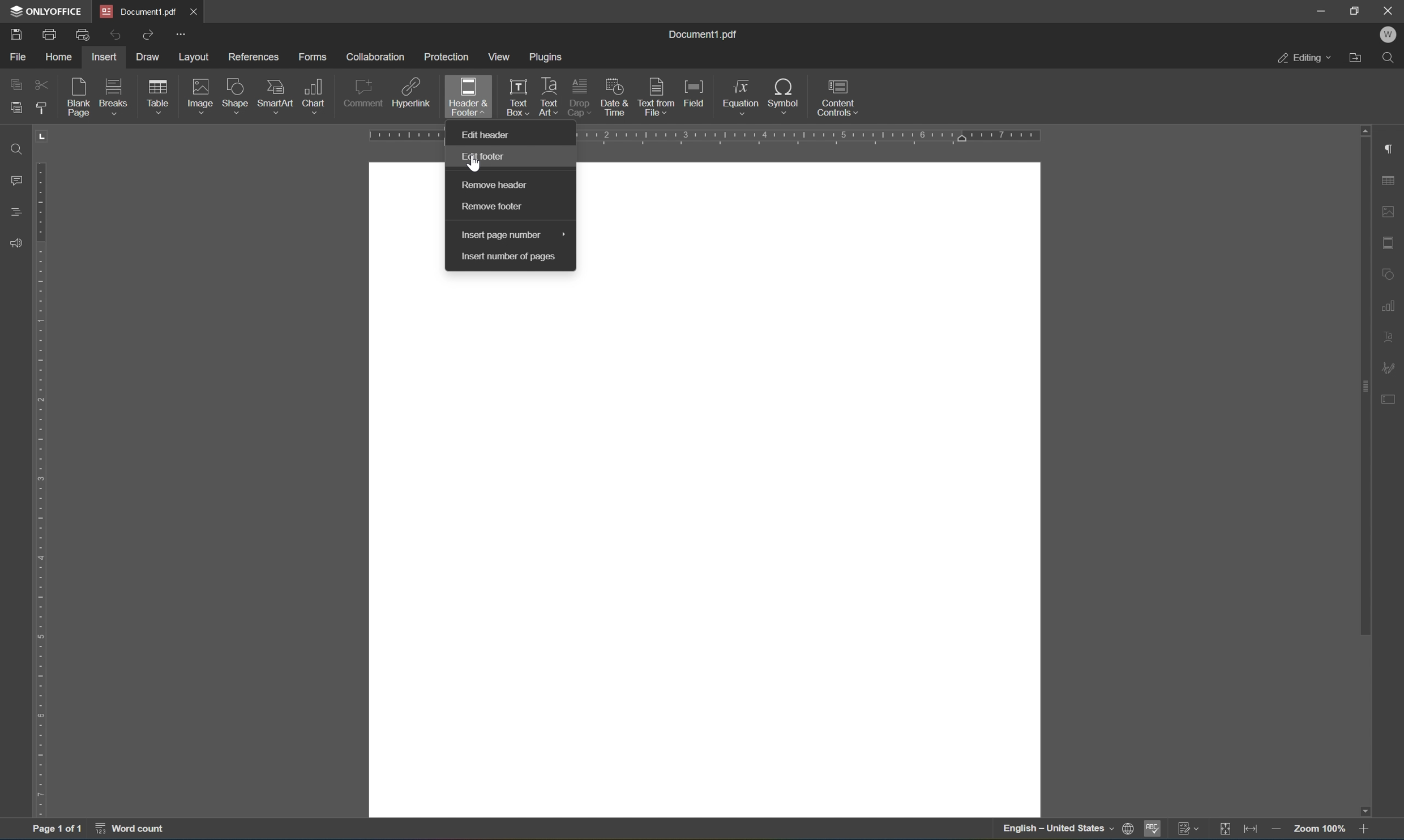  What do you see at coordinates (511, 235) in the screenshot?
I see `insert page number` at bounding box center [511, 235].